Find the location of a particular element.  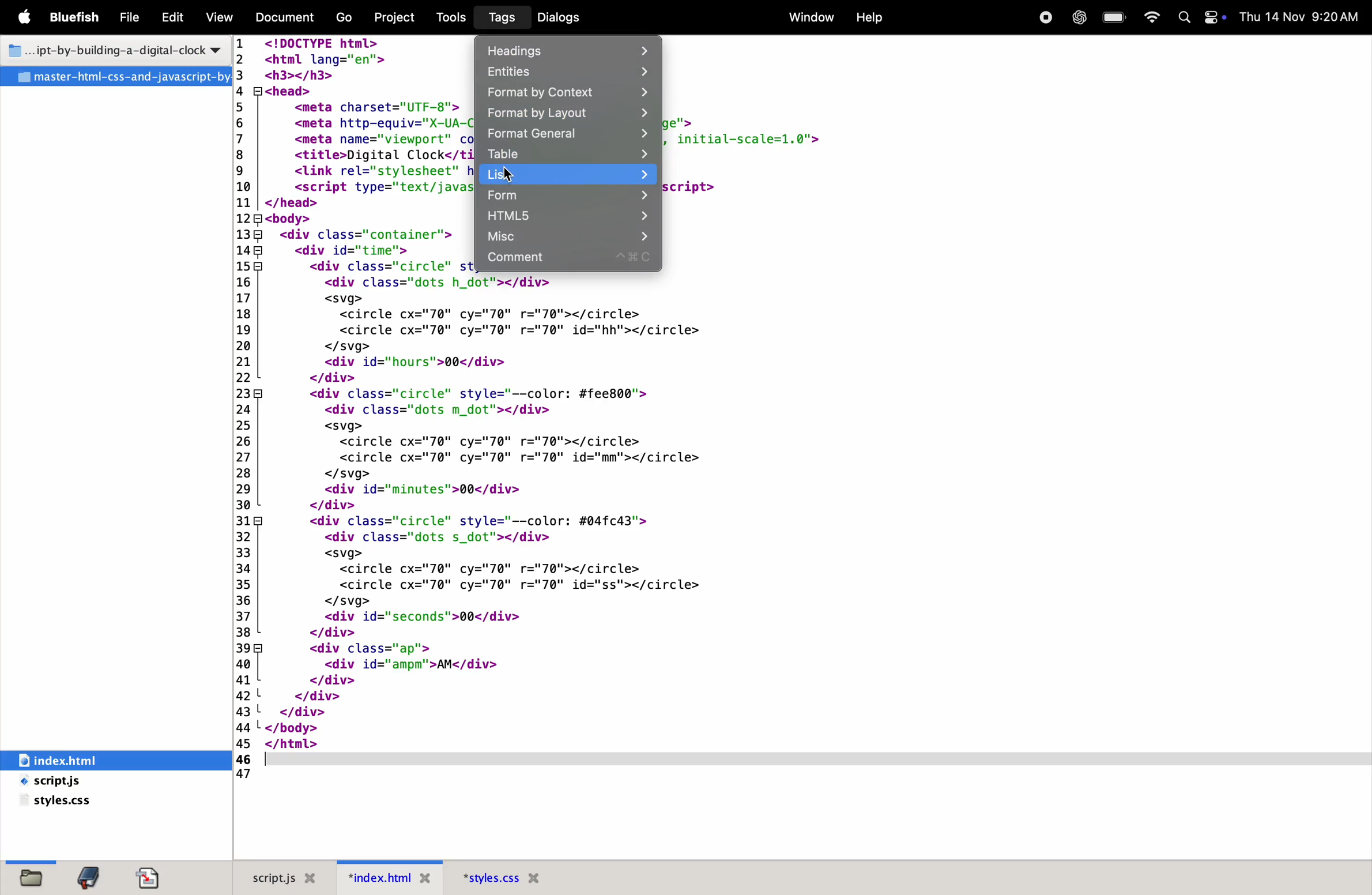

apple menu is located at coordinates (28, 18).